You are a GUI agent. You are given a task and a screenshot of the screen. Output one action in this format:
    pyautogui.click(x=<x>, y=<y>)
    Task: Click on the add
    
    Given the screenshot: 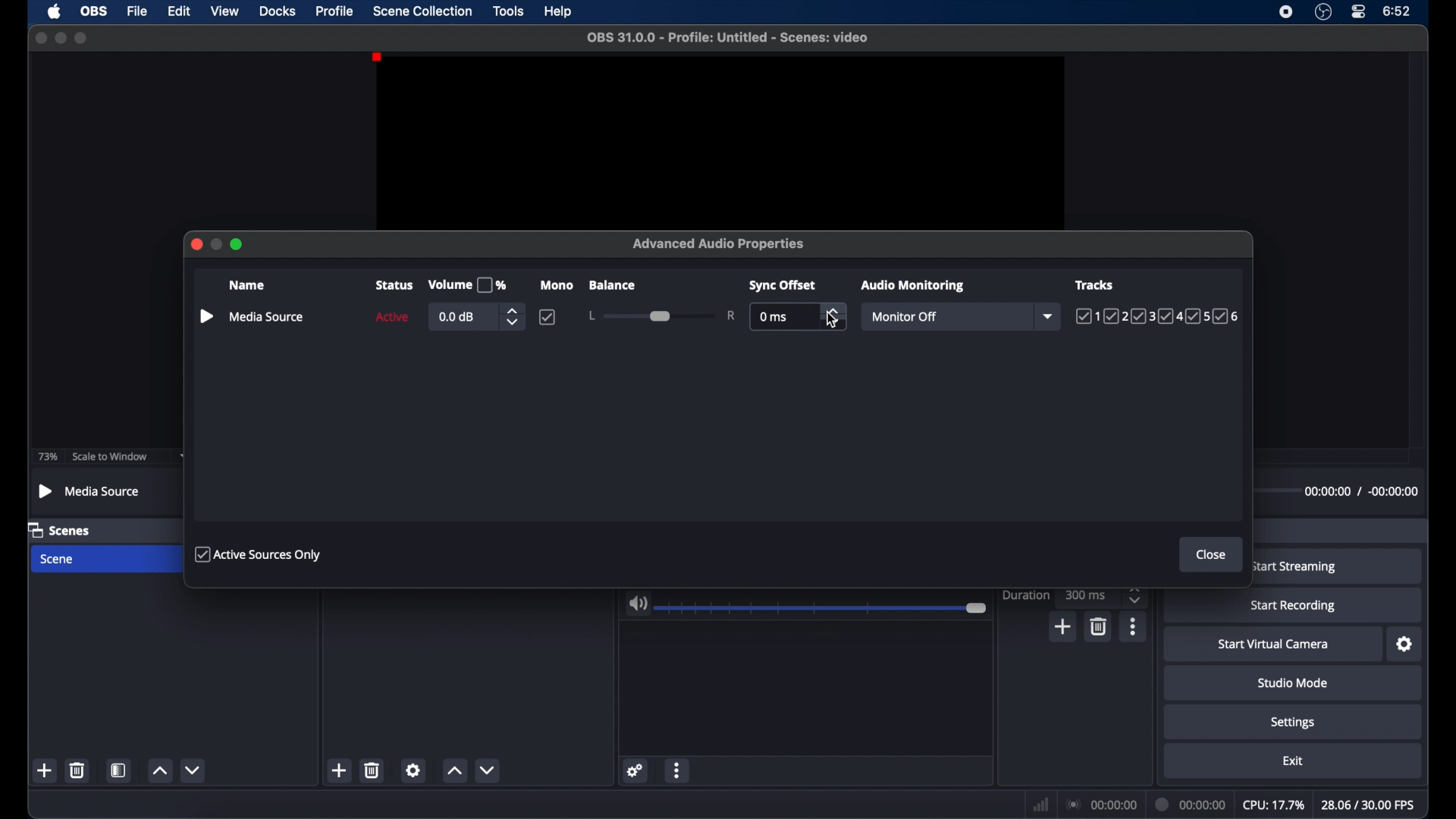 What is the action you would take?
    pyautogui.click(x=1064, y=627)
    